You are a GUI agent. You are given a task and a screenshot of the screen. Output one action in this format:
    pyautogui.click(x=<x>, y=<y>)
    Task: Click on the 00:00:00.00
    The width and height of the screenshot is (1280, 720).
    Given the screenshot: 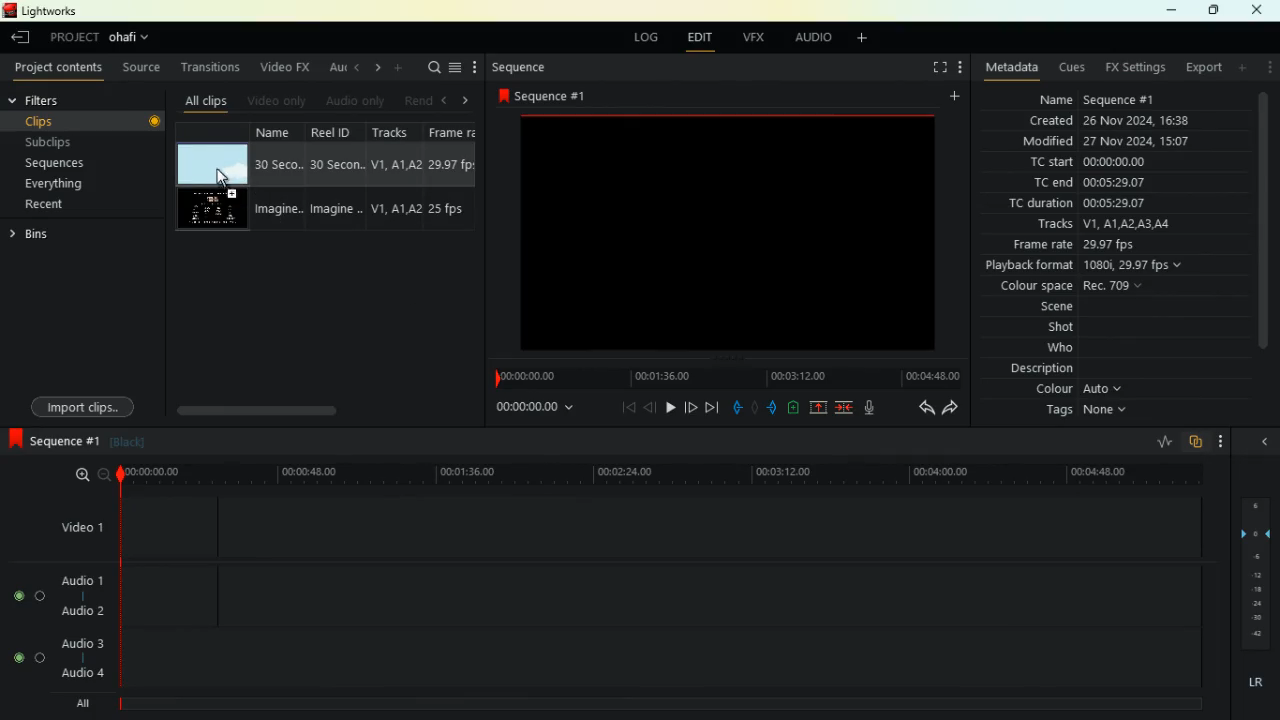 What is the action you would take?
    pyautogui.click(x=1114, y=161)
    